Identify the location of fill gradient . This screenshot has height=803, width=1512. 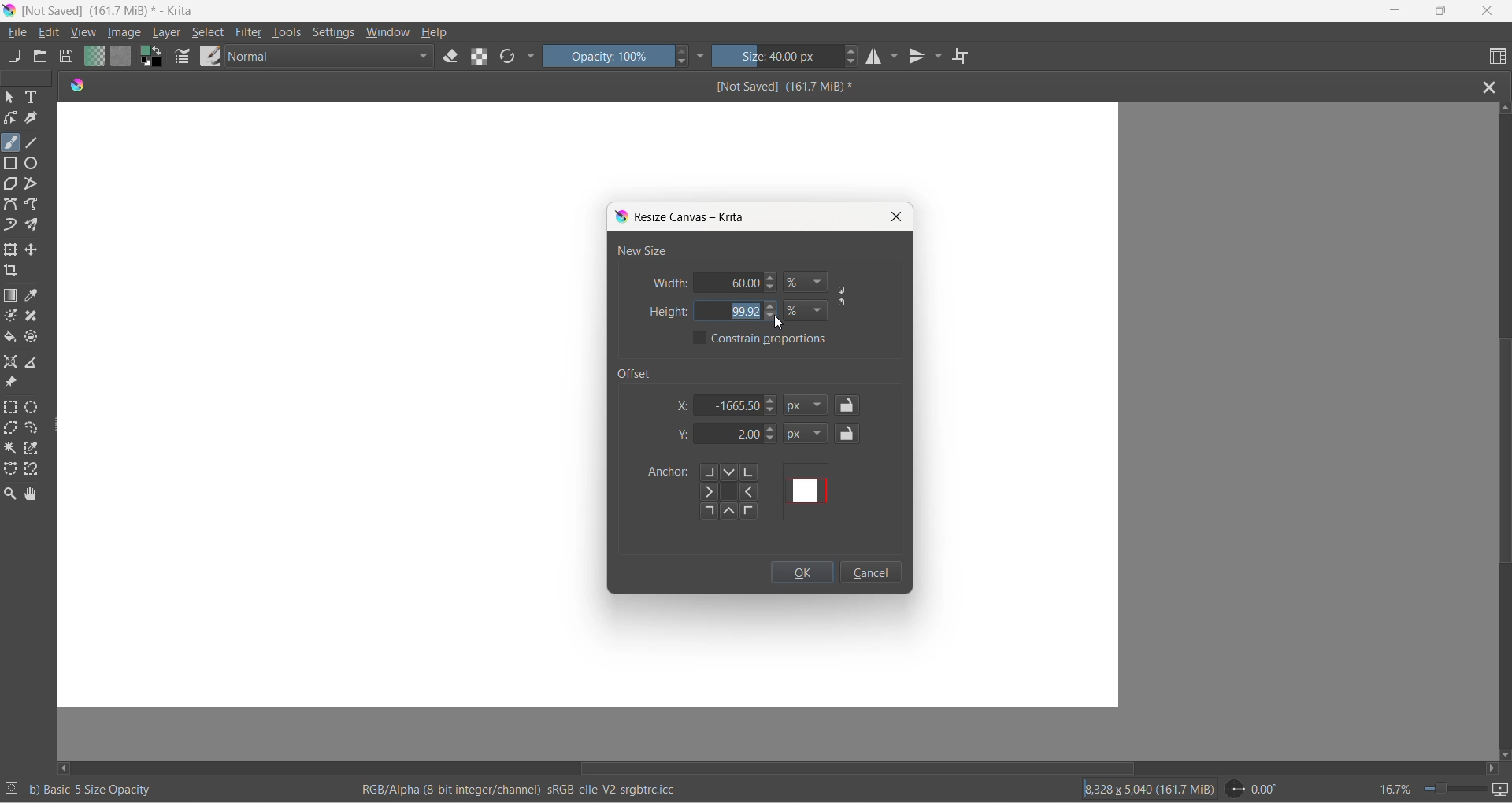
(92, 58).